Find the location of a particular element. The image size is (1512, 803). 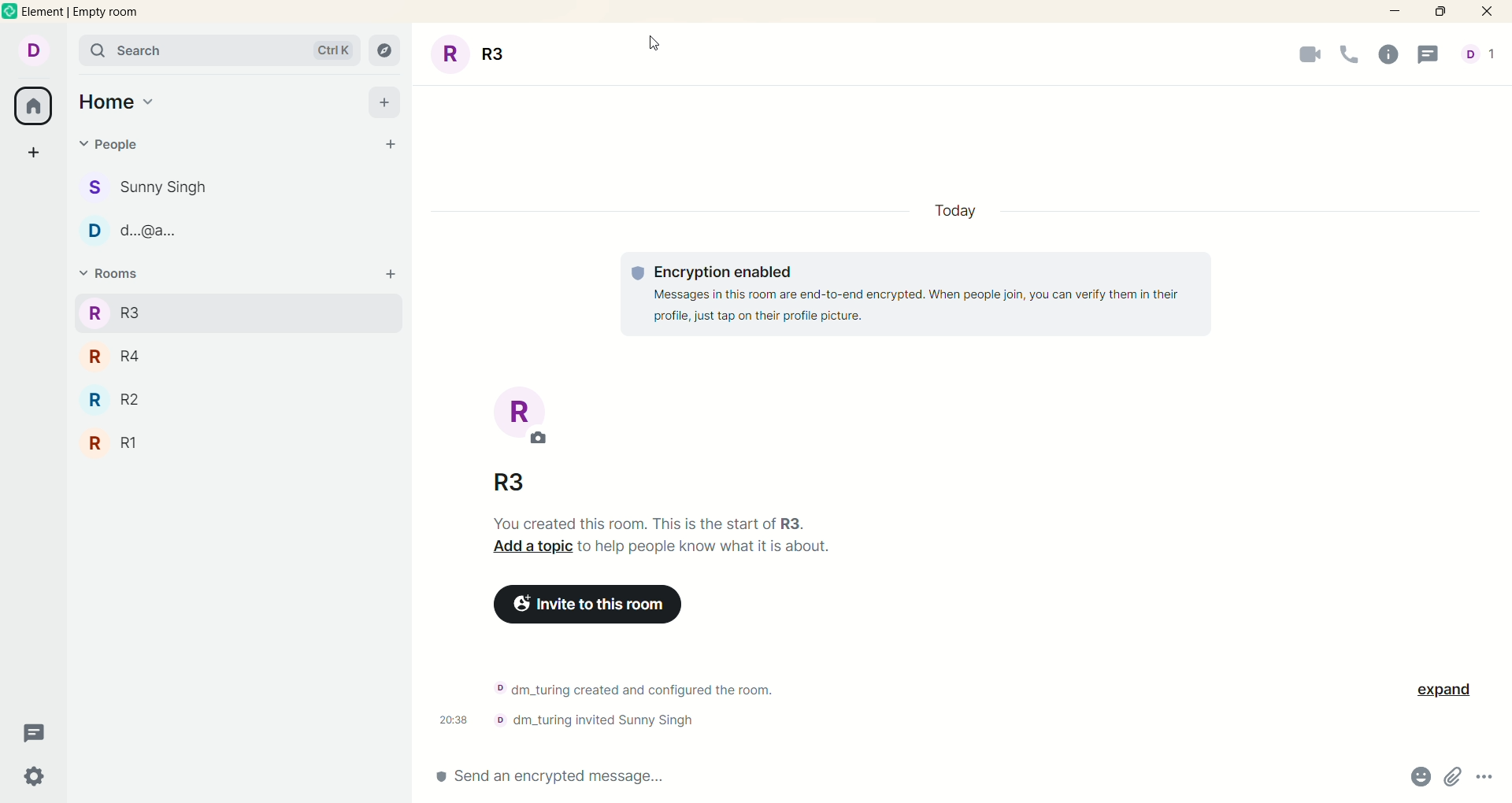

start chat is located at coordinates (391, 147).